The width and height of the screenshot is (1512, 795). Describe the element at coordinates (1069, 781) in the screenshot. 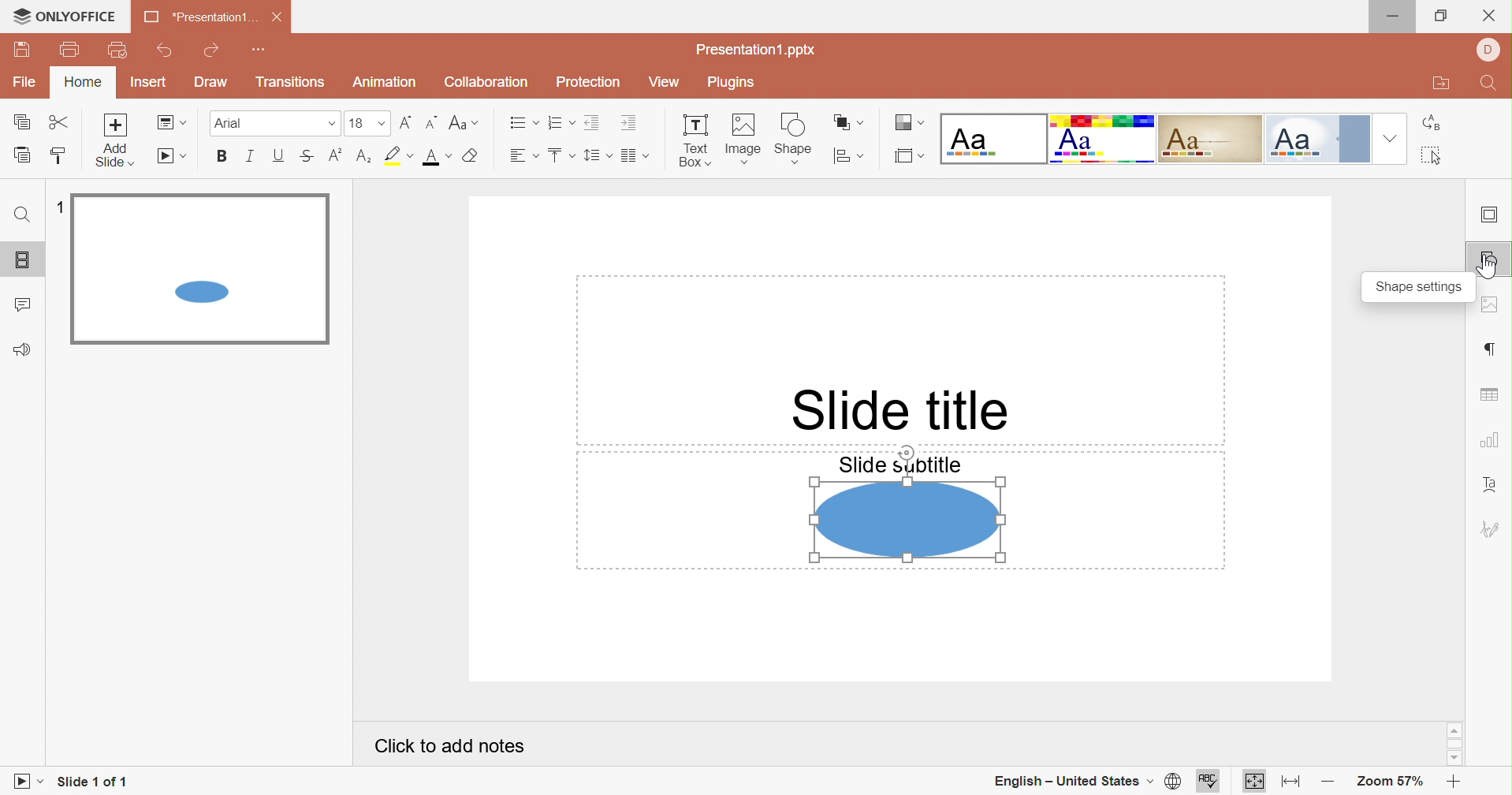

I see `English - United States` at that location.